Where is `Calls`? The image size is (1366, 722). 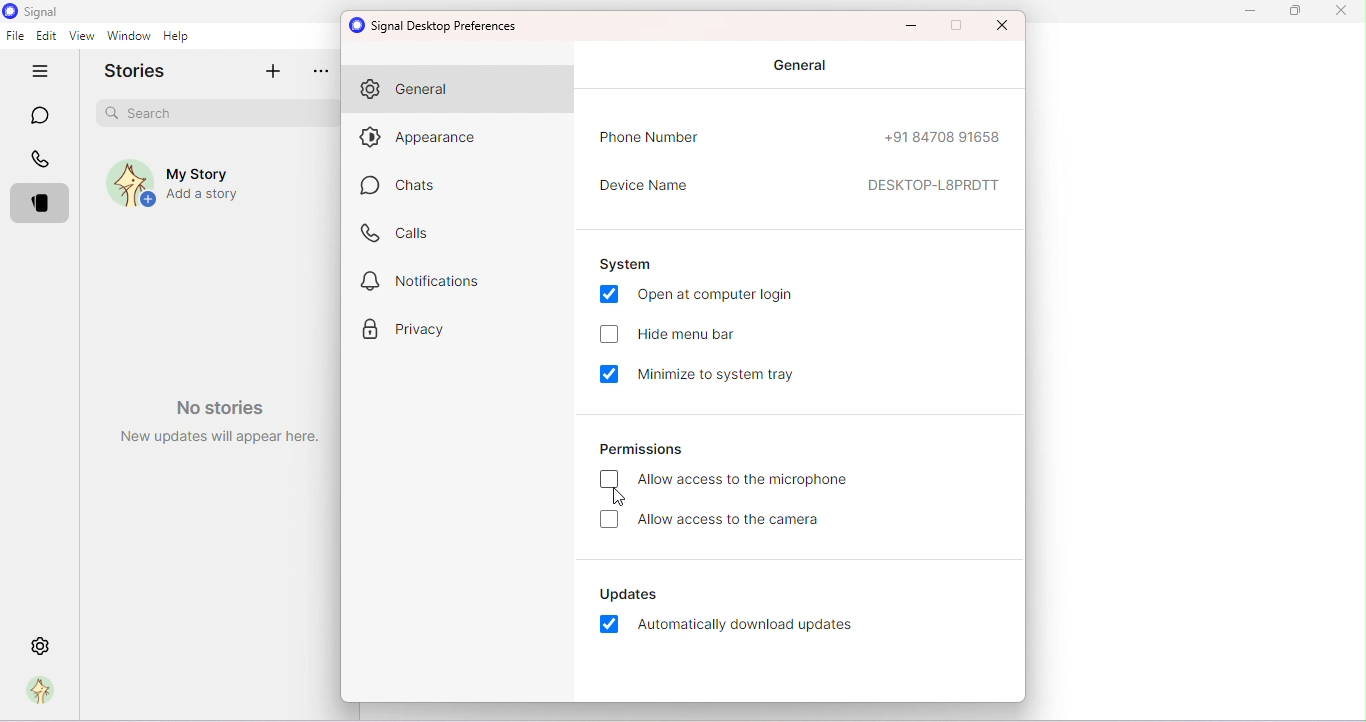 Calls is located at coordinates (44, 164).